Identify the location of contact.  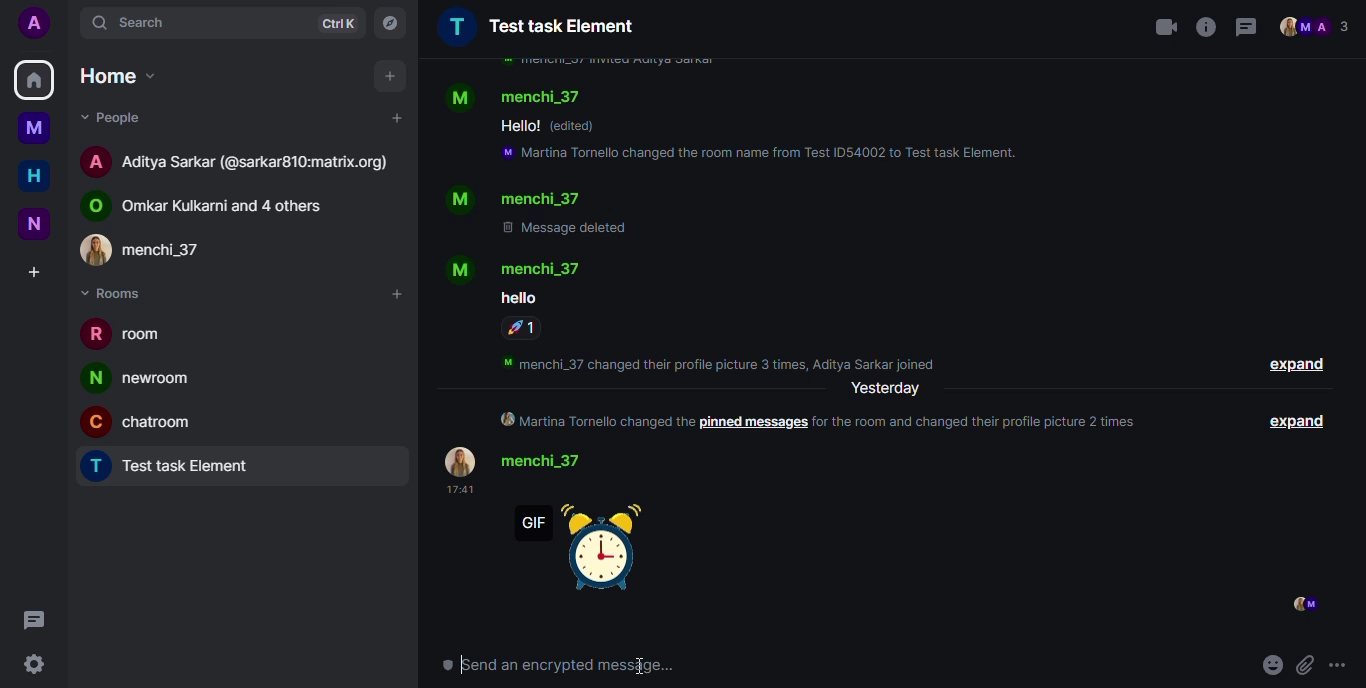
(518, 268).